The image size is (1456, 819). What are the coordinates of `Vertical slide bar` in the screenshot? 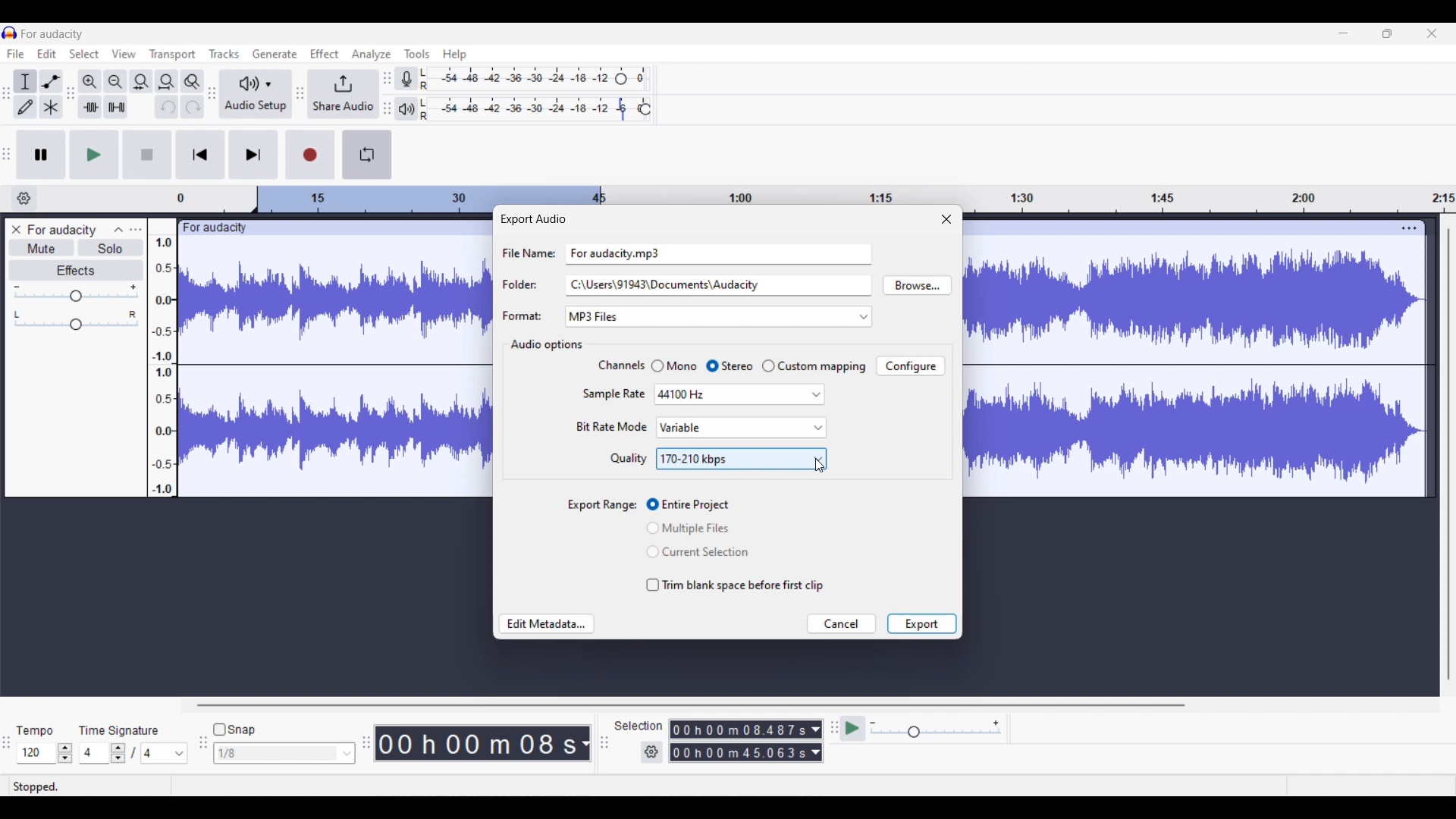 It's located at (1449, 454).